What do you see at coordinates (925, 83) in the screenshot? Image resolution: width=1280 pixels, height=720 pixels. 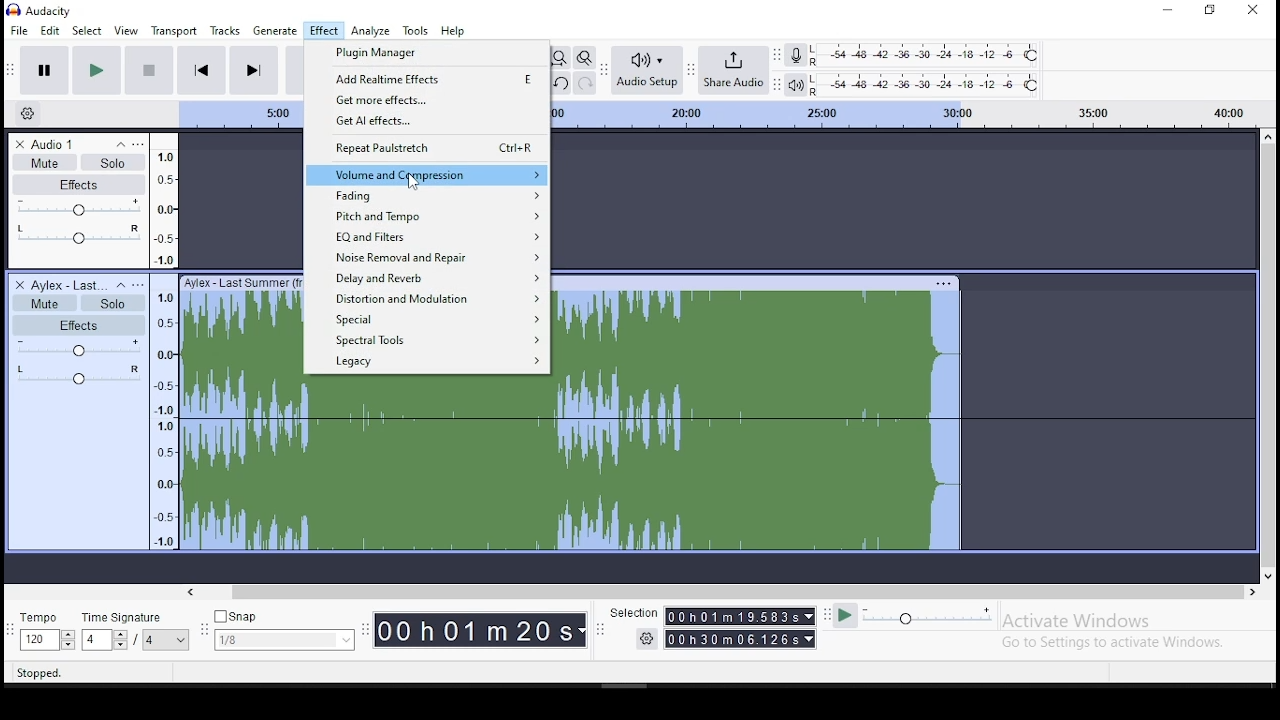 I see `playback level` at bounding box center [925, 83].